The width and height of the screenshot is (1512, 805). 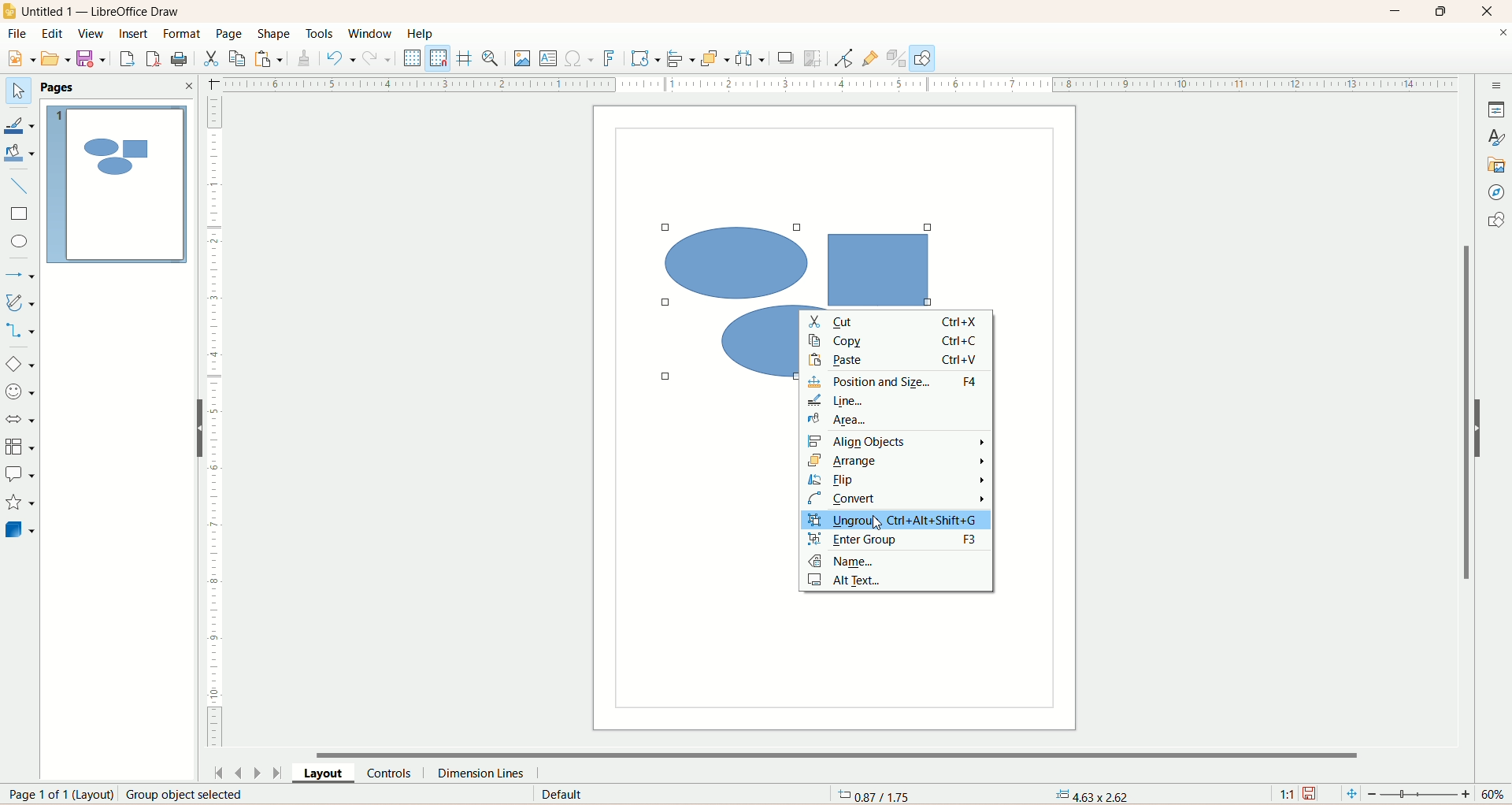 I want to click on copy, so click(x=899, y=339).